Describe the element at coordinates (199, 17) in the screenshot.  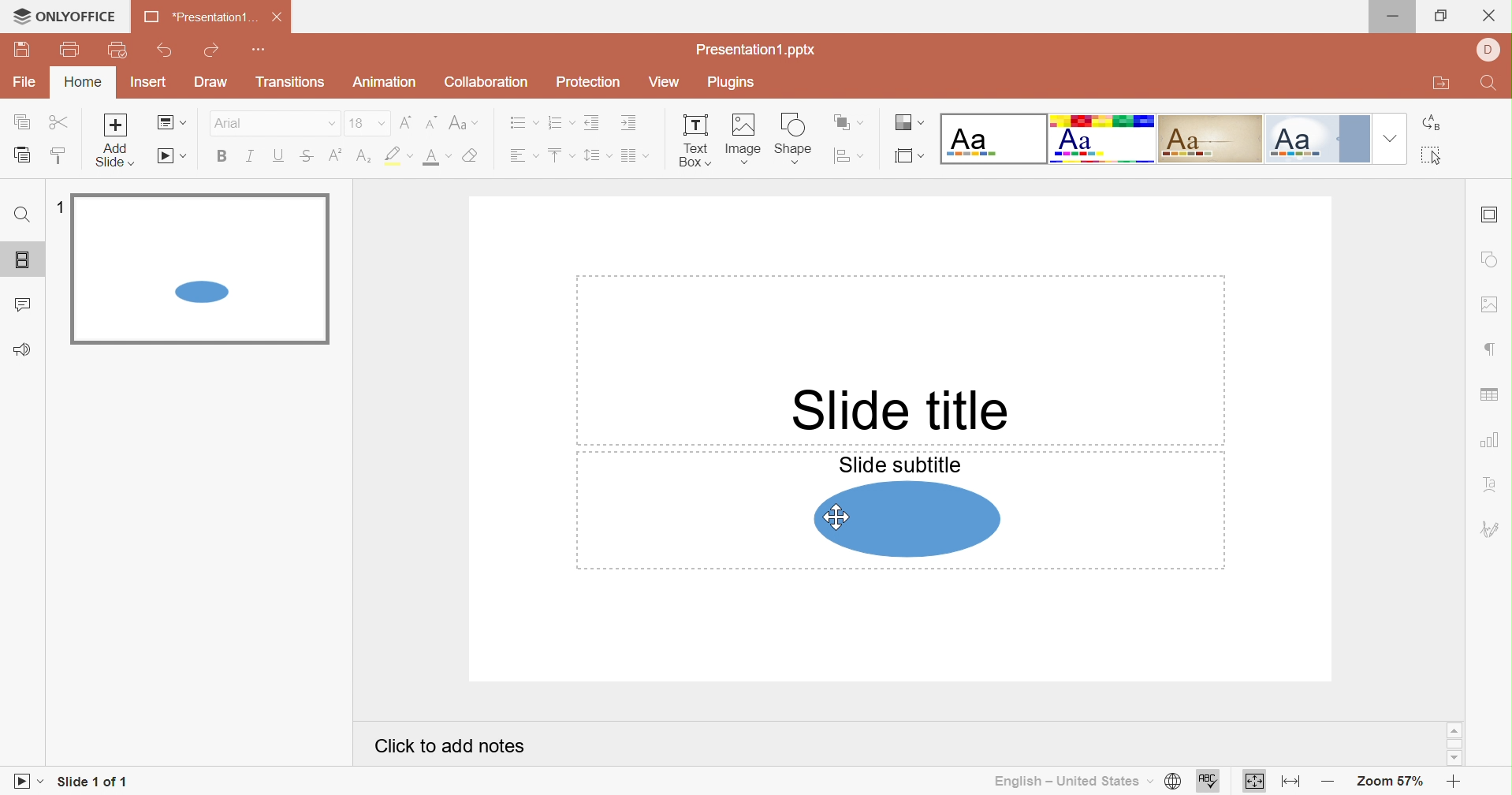
I see `*Presentation1 ...` at that location.